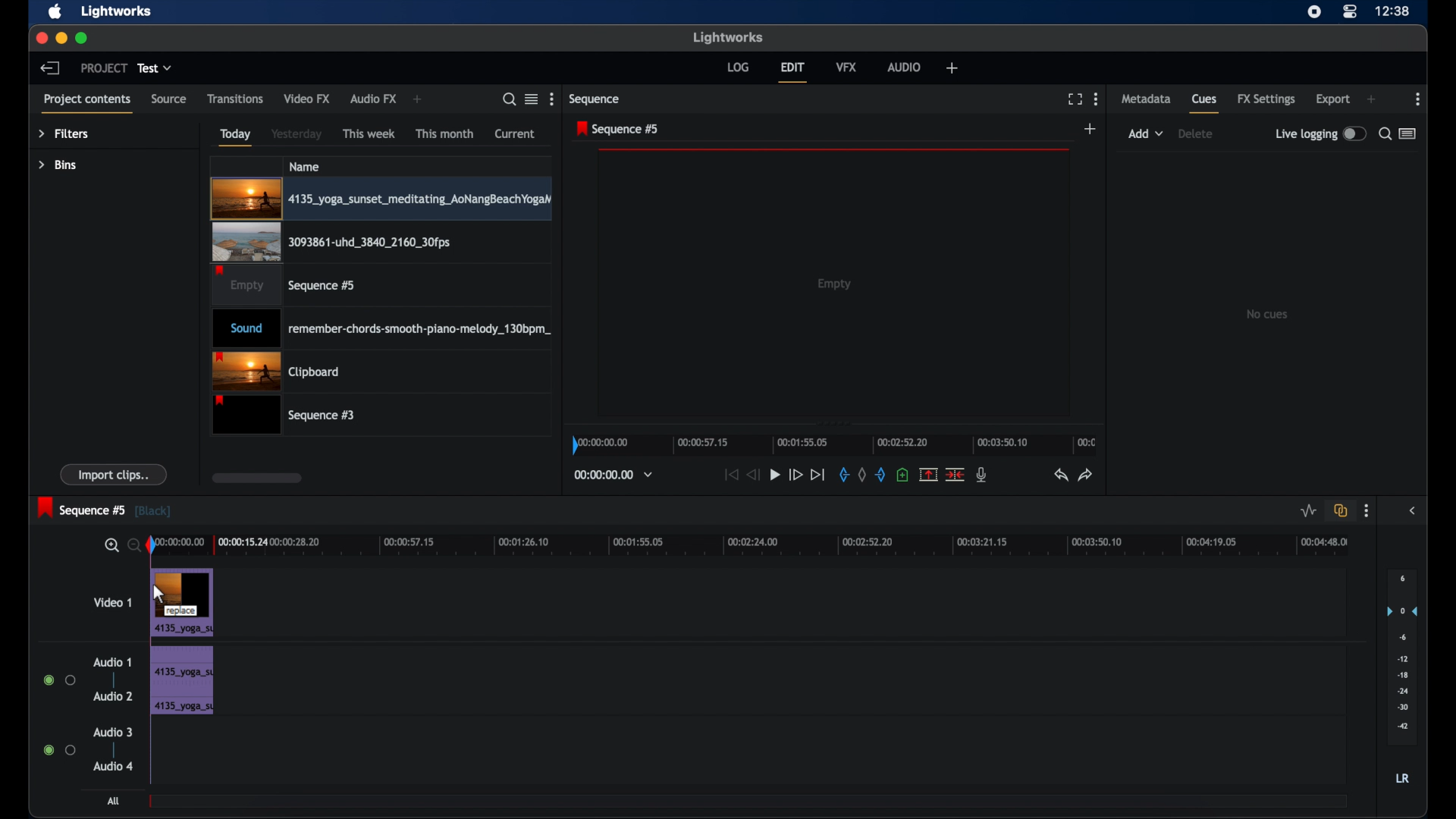  I want to click on today, so click(236, 137).